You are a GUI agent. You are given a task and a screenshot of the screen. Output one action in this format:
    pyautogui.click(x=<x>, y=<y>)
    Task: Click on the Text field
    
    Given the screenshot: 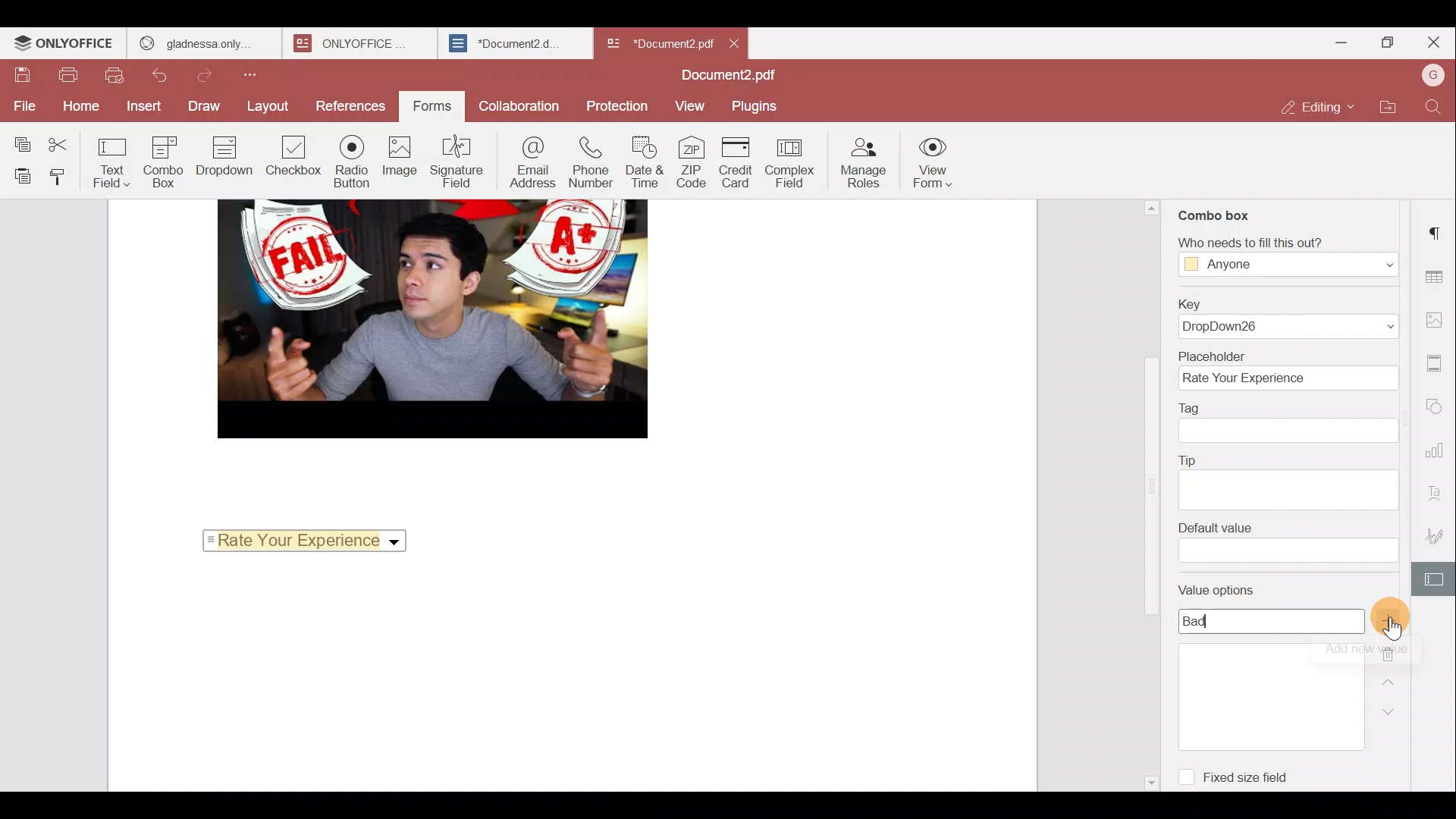 What is the action you would take?
    pyautogui.click(x=117, y=165)
    